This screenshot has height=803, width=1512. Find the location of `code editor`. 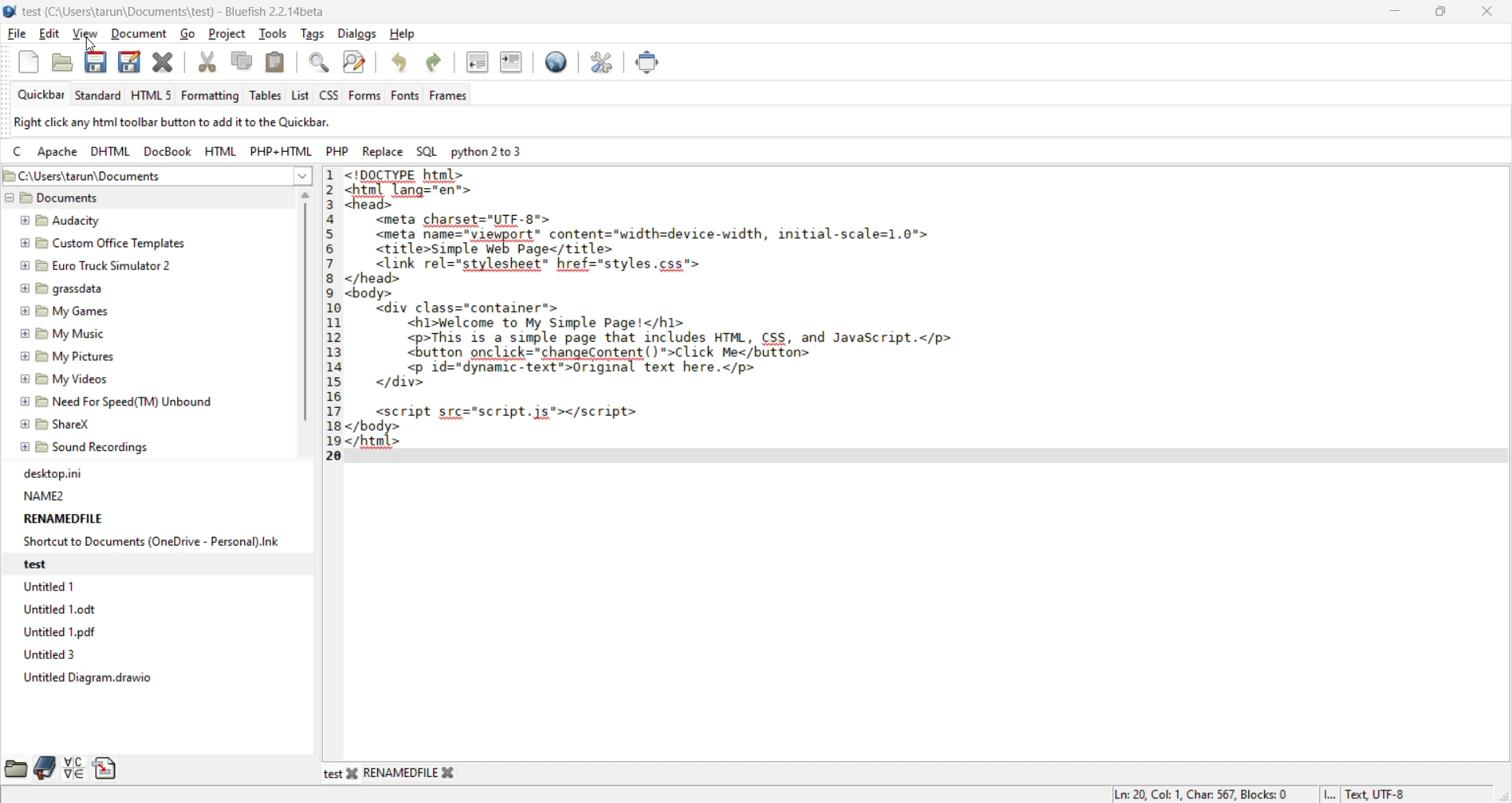

code editor is located at coordinates (691, 317).